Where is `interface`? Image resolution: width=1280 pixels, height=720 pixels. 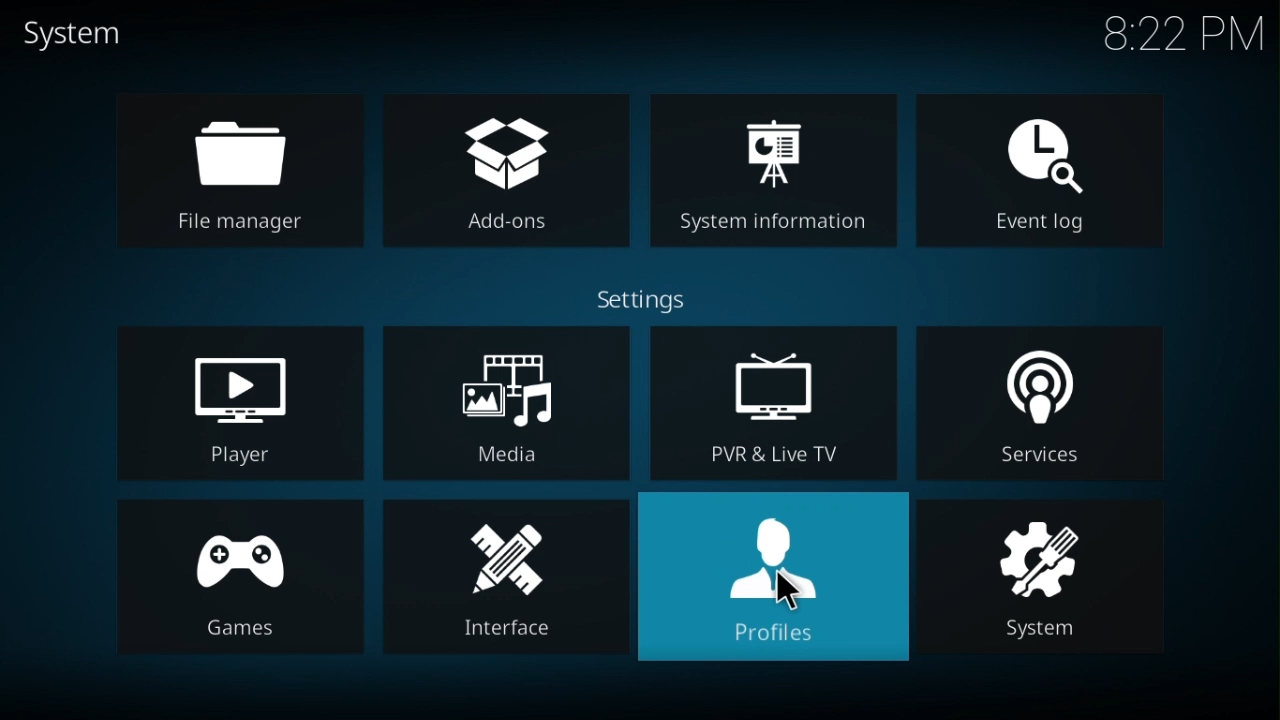 interface is located at coordinates (508, 574).